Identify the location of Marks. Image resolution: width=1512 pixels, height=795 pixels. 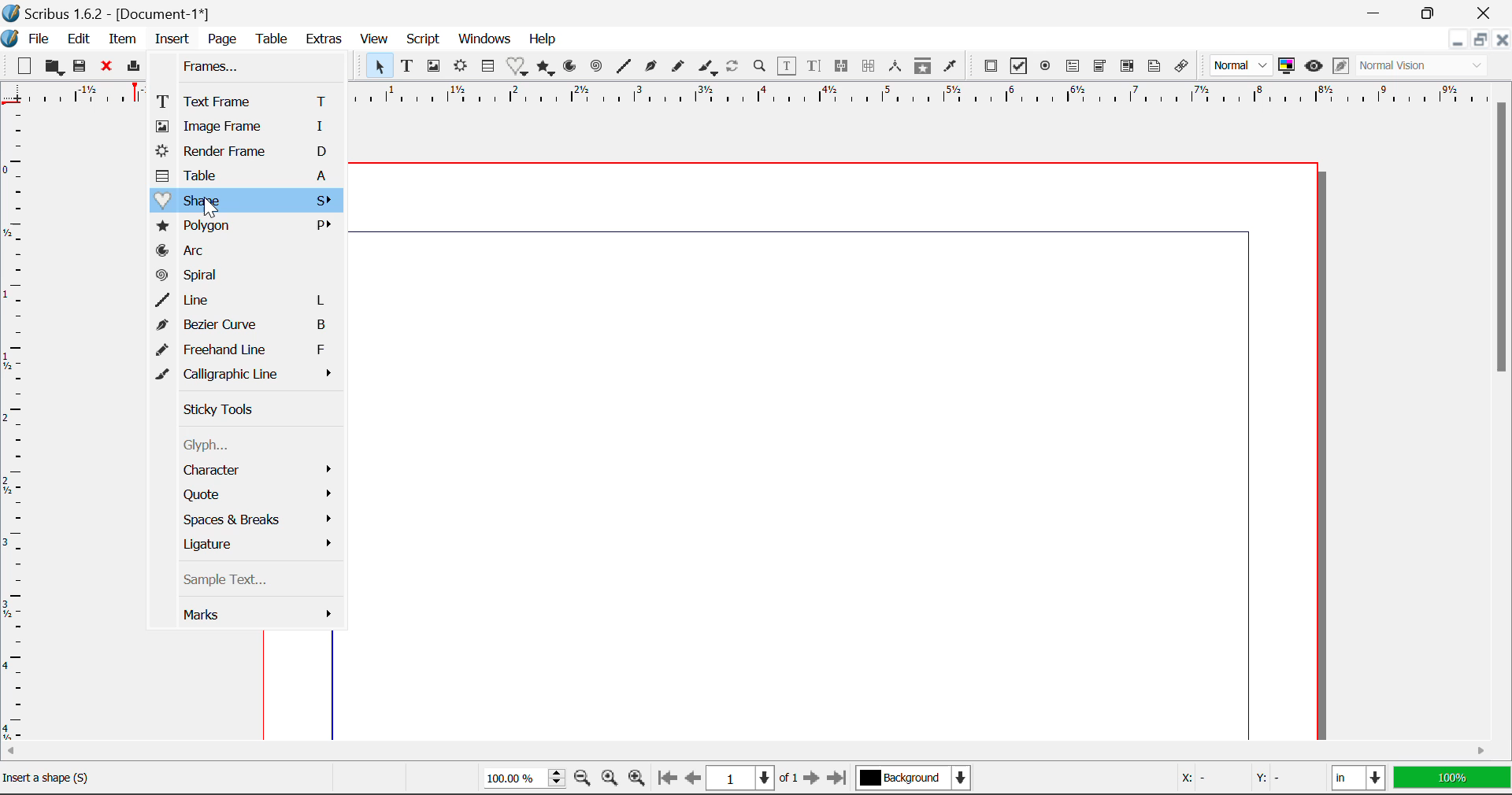
(260, 618).